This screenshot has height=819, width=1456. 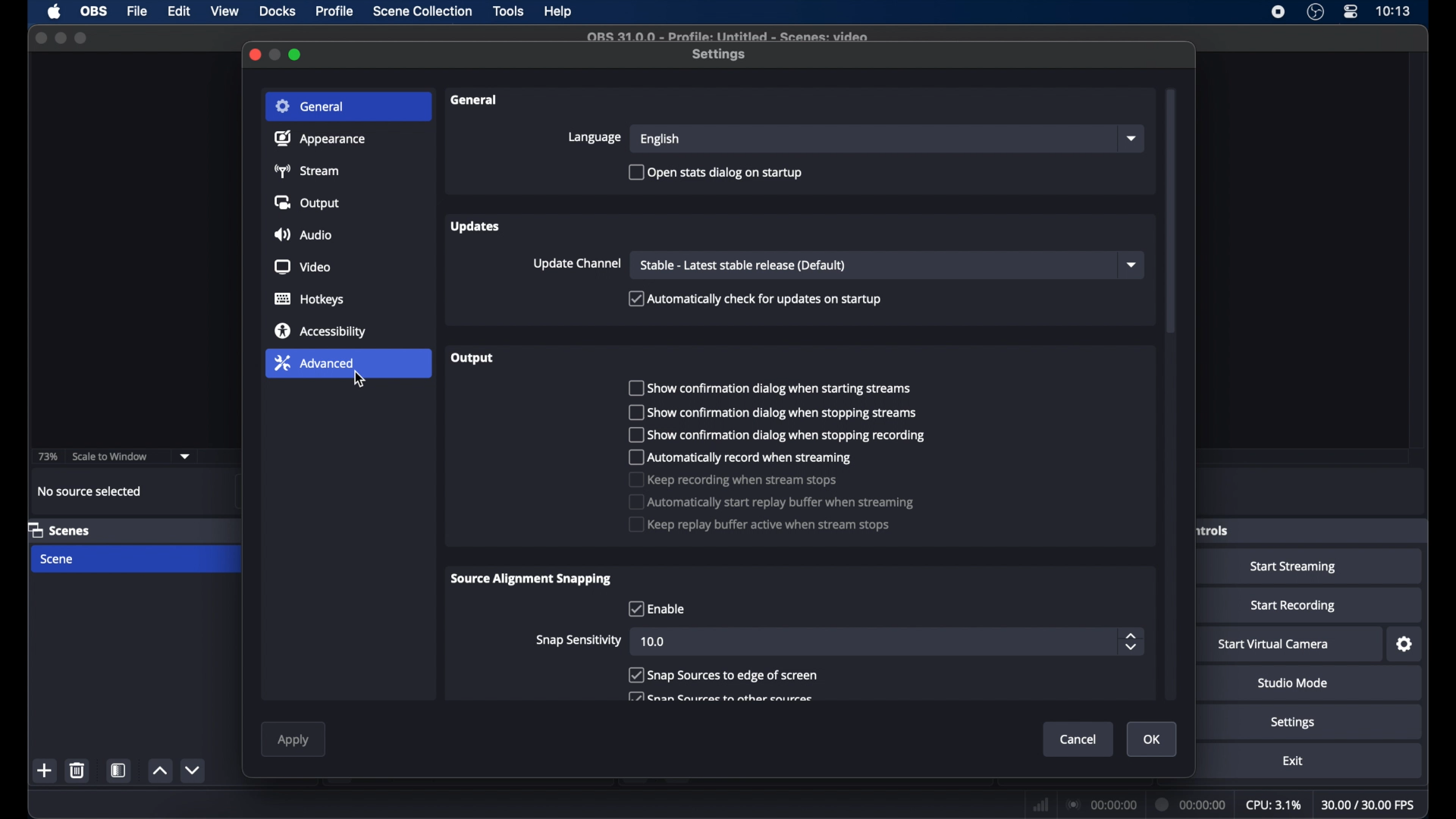 I want to click on studio mode, so click(x=1293, y=684).